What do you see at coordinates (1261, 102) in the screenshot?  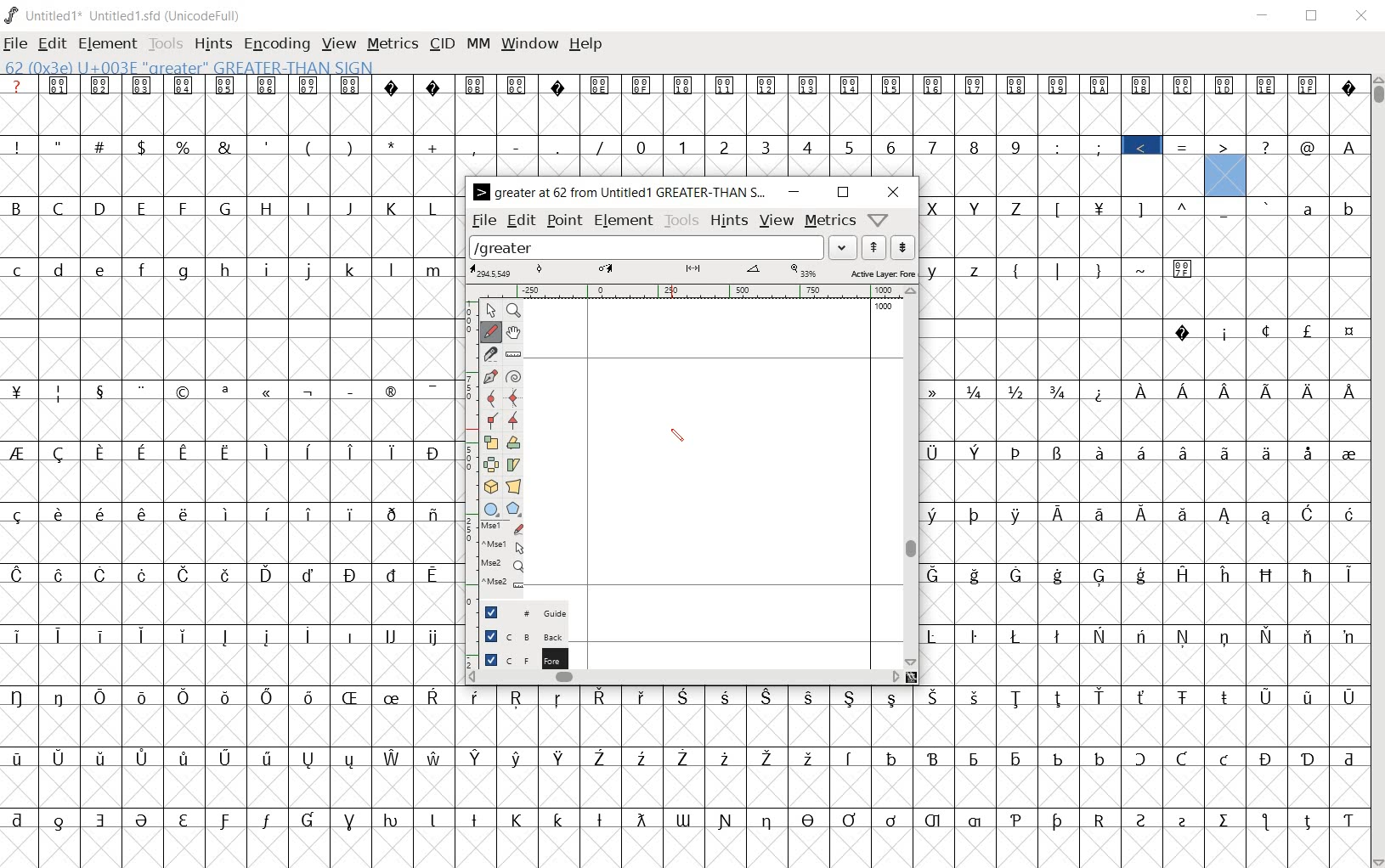 I see `glyps` at bounding box center [1261, 102].